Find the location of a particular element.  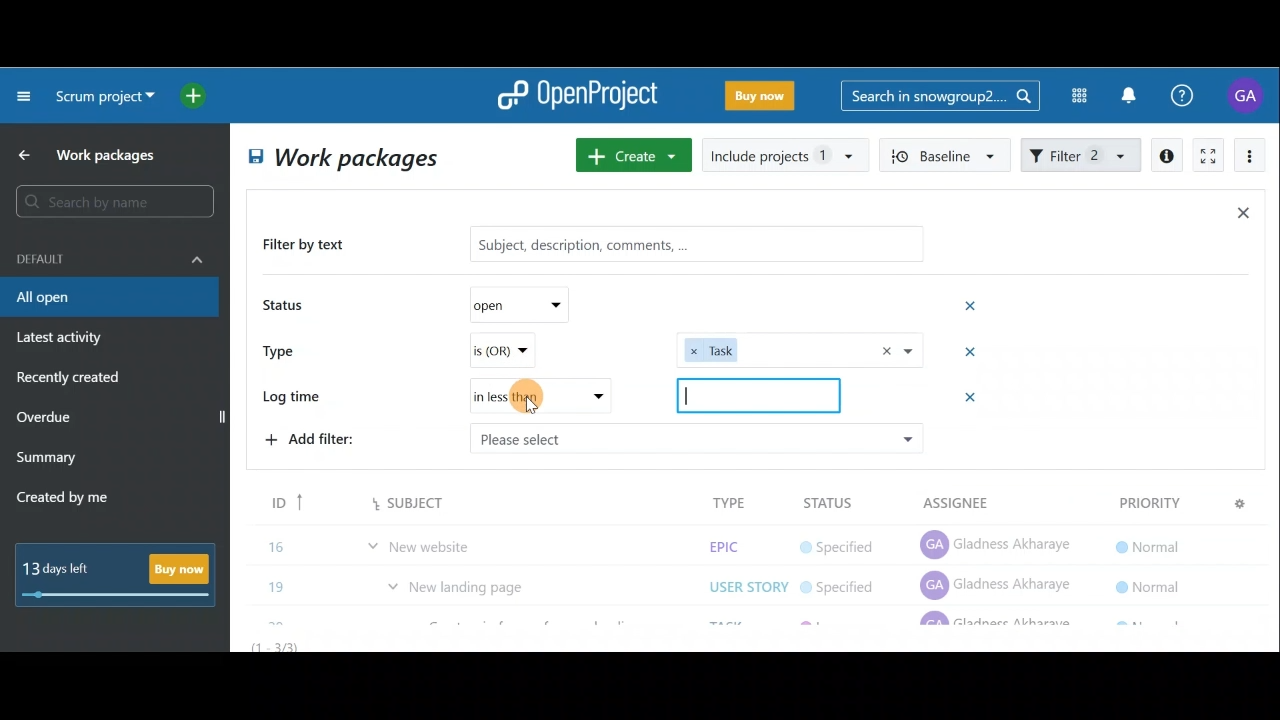

user story is located at coordinates (748, 542).